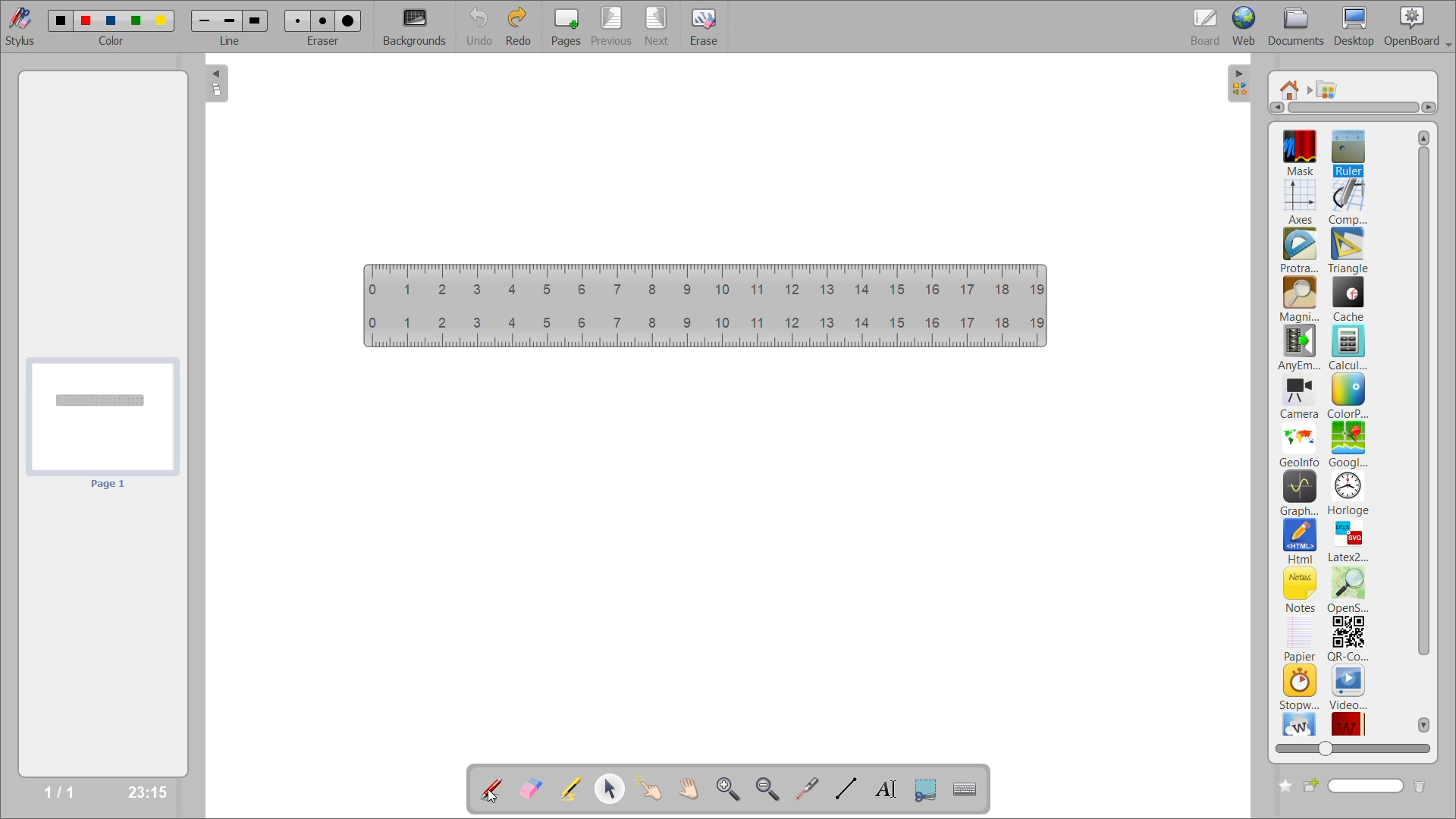 The width and height of the screenshot is (1456, 819). Describe the element at coordinates (1348, 396) in the screenshot. I see `colorpicker` at that location.